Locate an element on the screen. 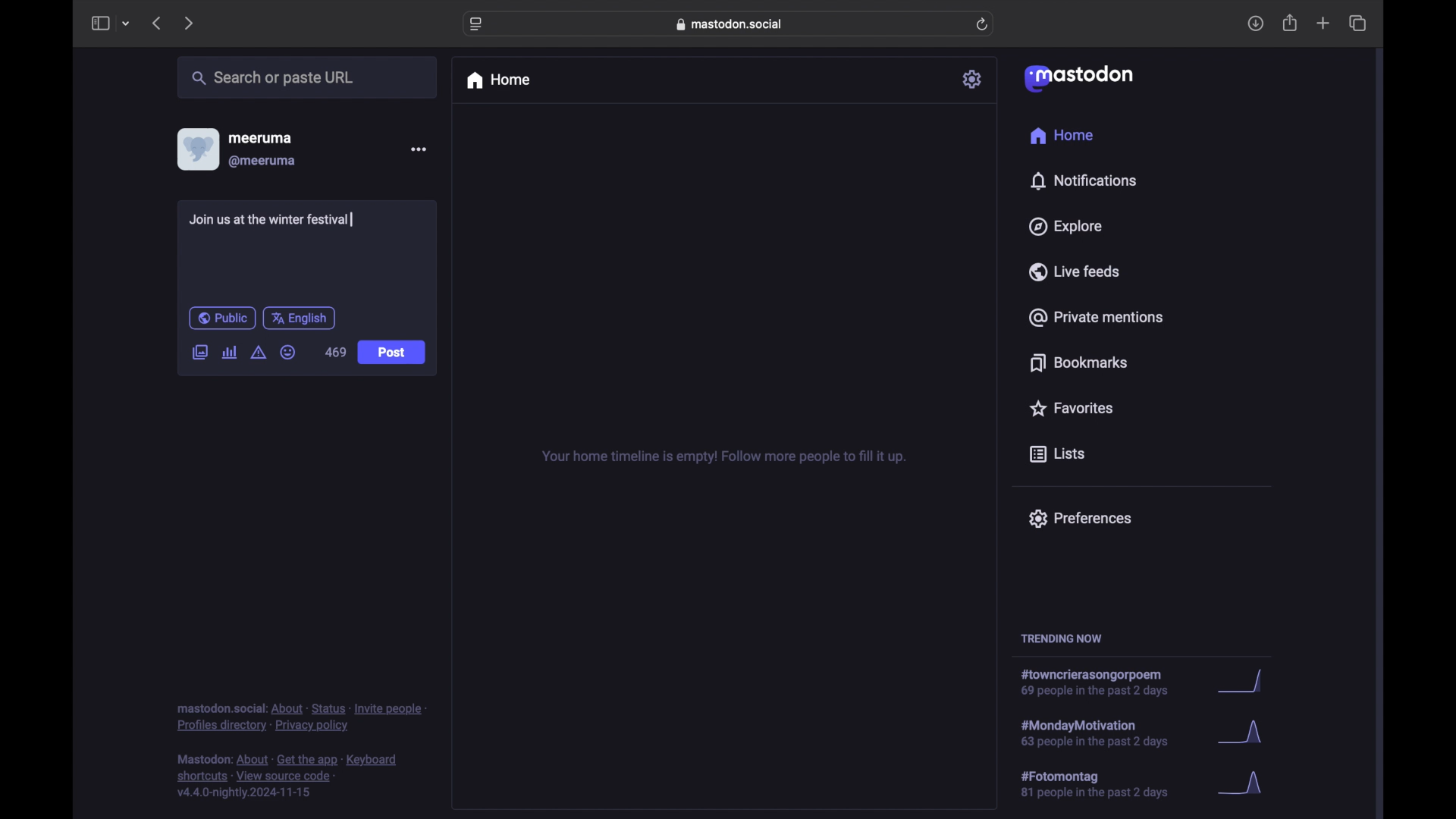 Image resolution: width=1456 pixels, height=819 pixels. refresh is located at coordinates (984, 25).